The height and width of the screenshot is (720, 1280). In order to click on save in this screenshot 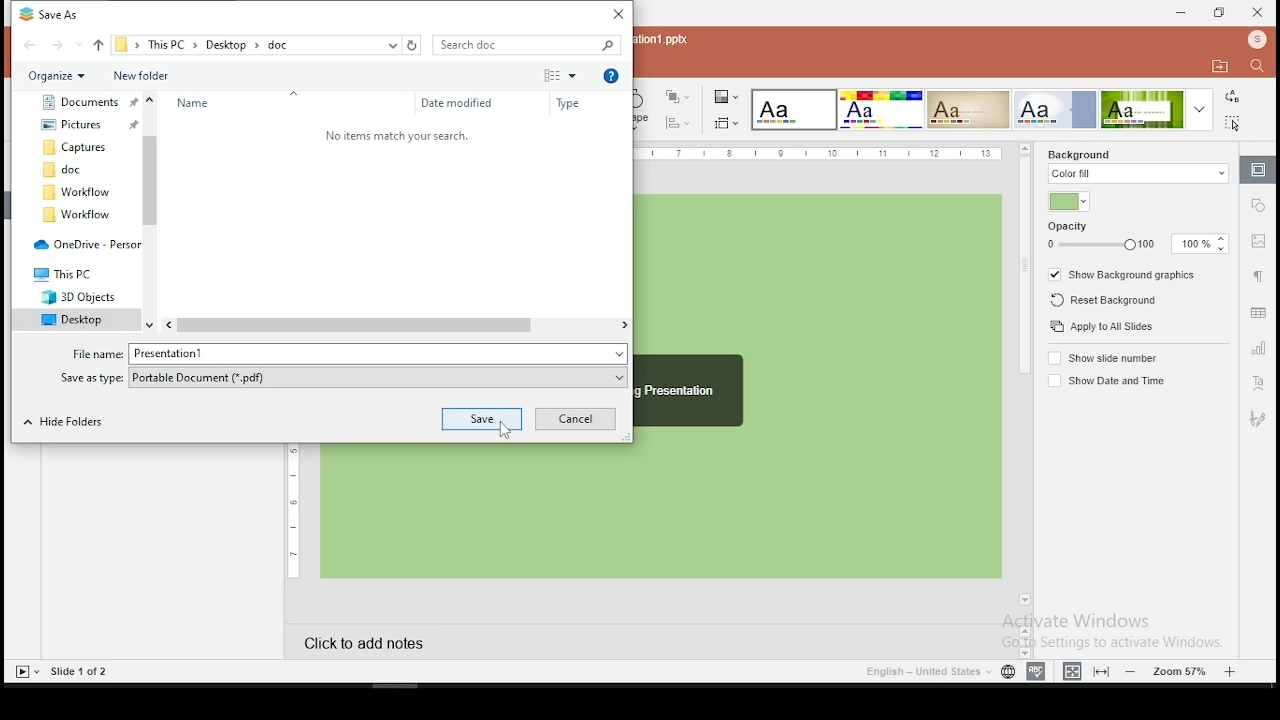, I will do `click(478, 420)`.